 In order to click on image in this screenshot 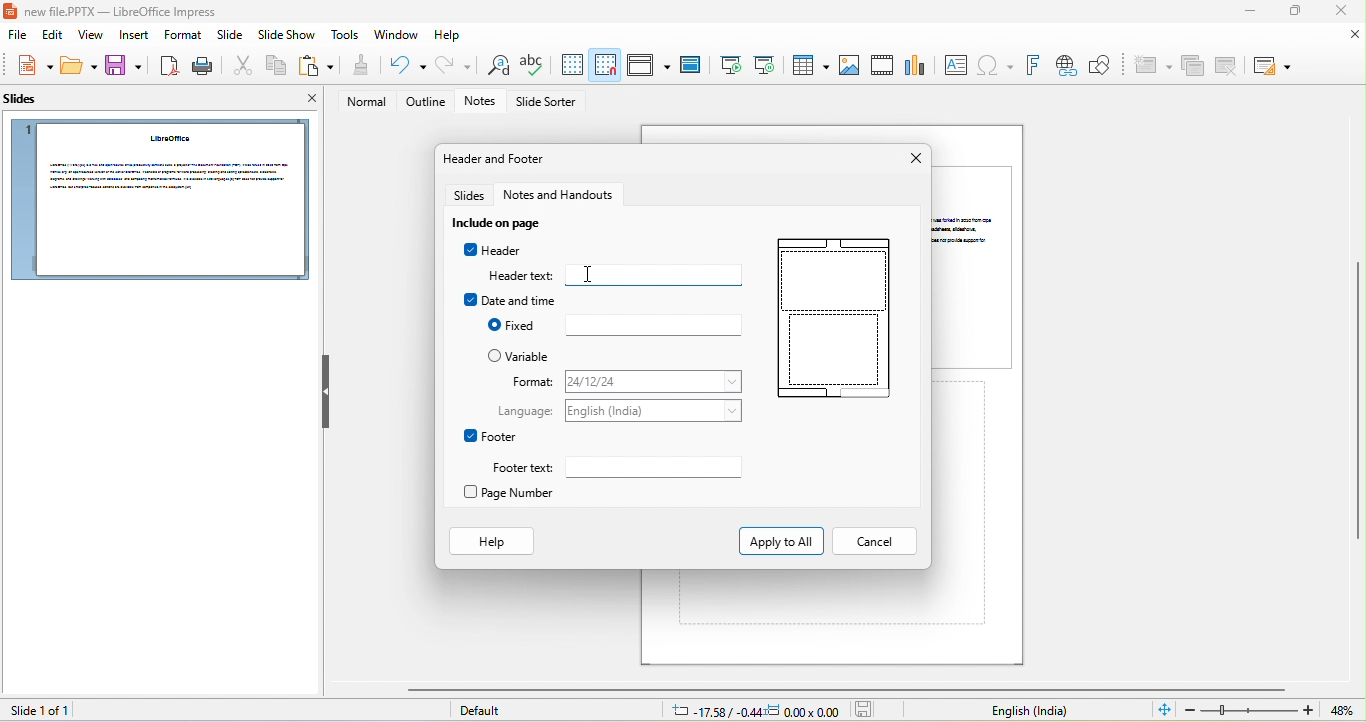, I will do `click(849, 66)`.